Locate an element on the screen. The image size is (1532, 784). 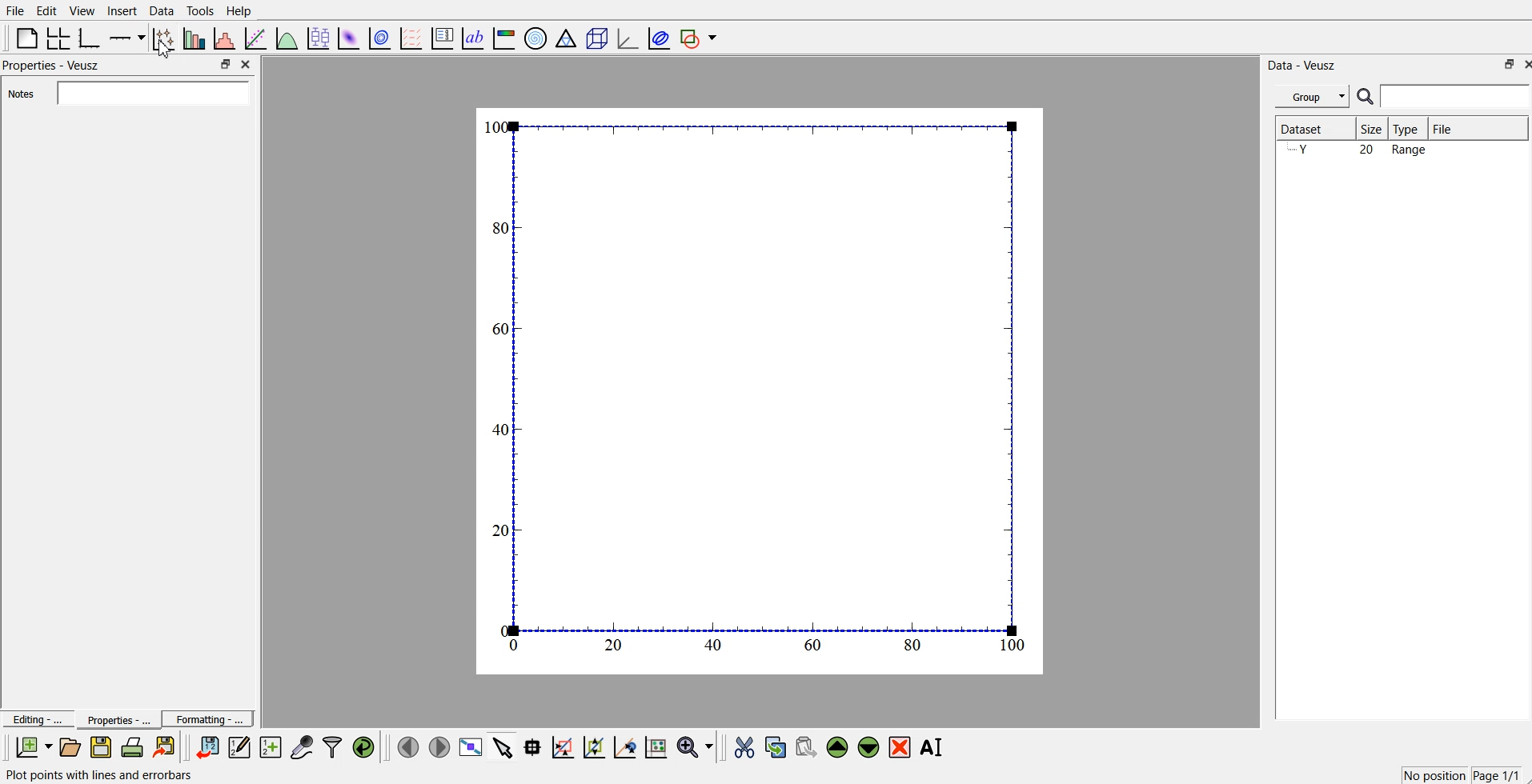
click to reset graph axes is located at coordinates (657, 746).